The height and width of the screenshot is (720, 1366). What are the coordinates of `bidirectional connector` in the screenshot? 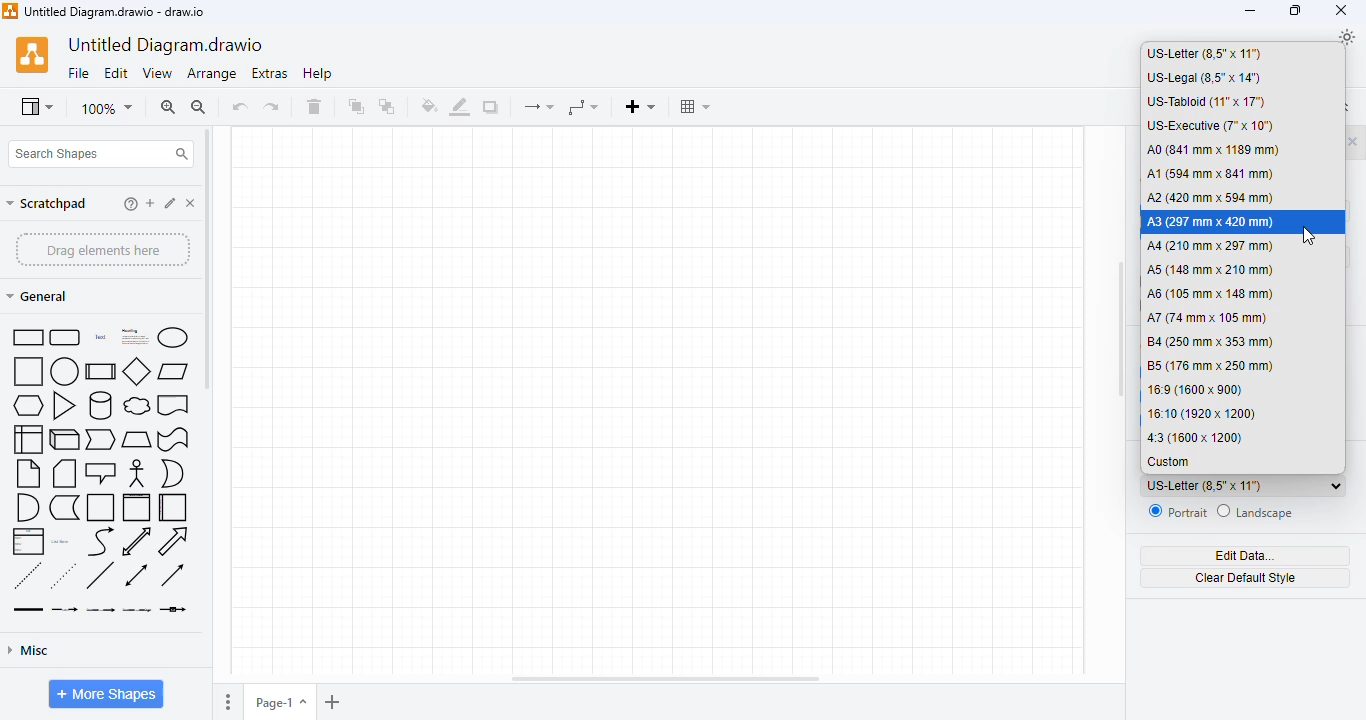 It's located at (136, 575).